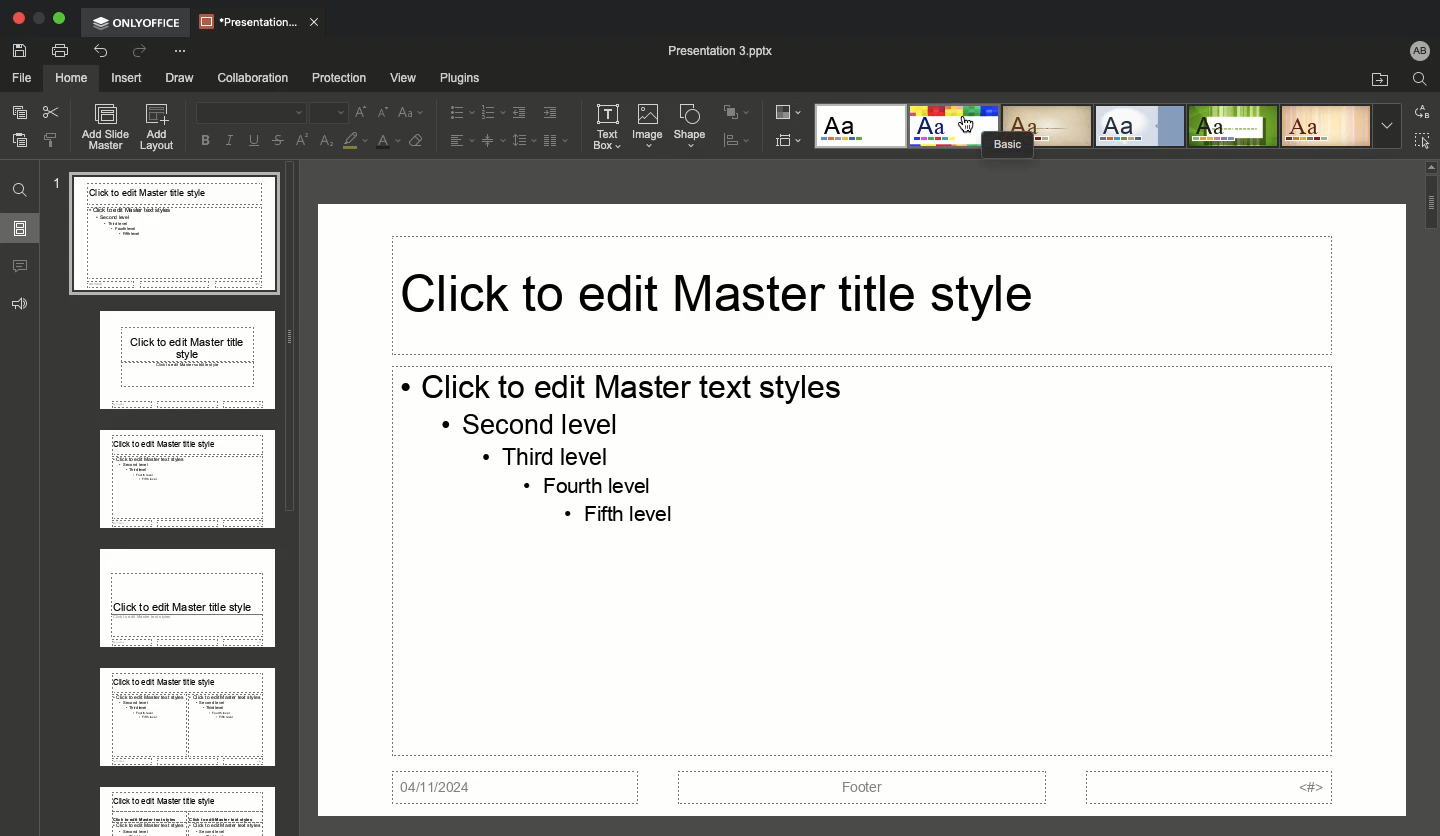  I want to click on Open file location, so click(1376, 79).